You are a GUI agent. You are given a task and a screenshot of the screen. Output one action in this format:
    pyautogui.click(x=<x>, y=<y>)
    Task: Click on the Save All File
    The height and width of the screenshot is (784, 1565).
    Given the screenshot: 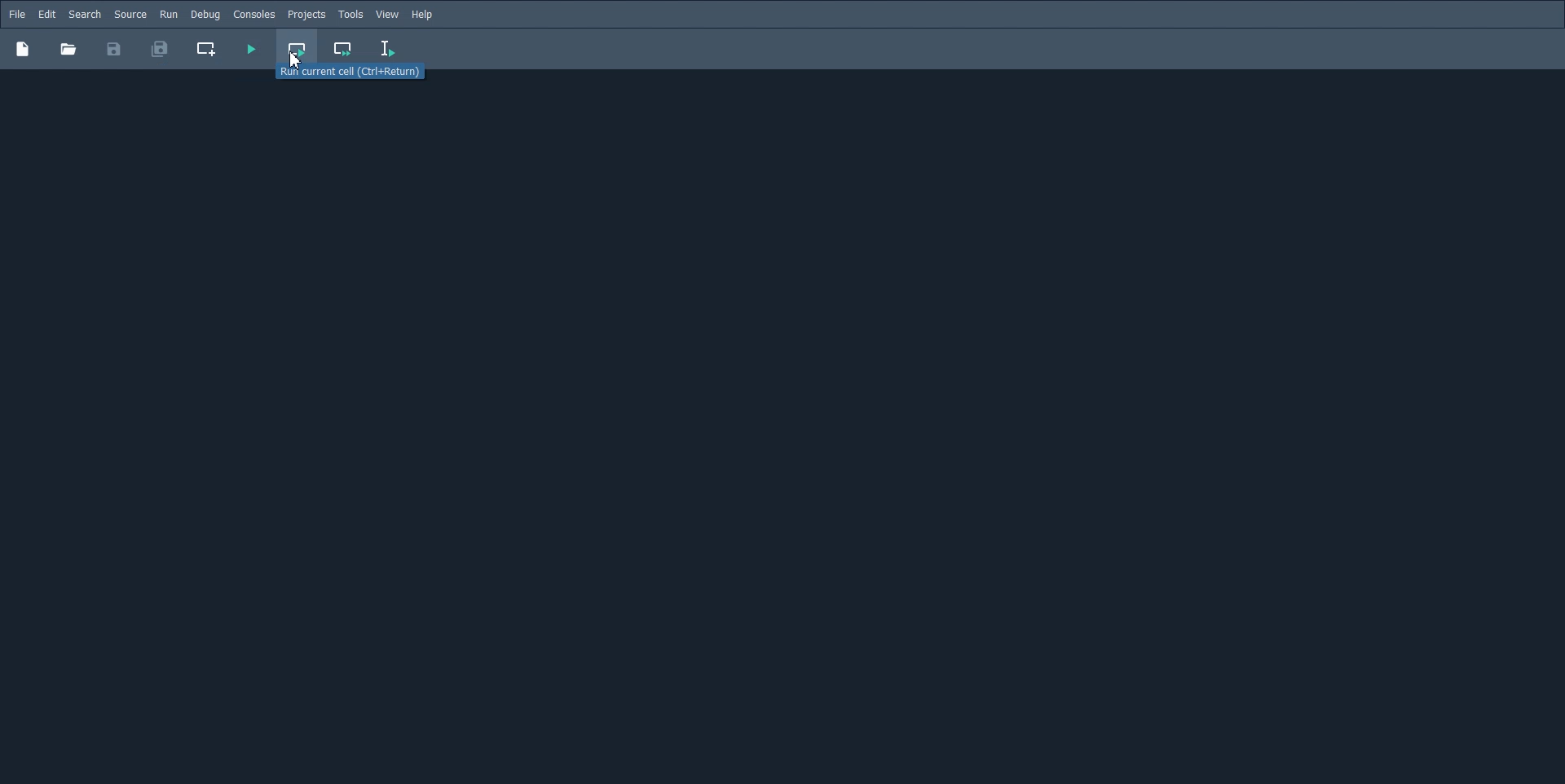 What is the action you would take?
    pyautogui.click(x=158, y=49)
    